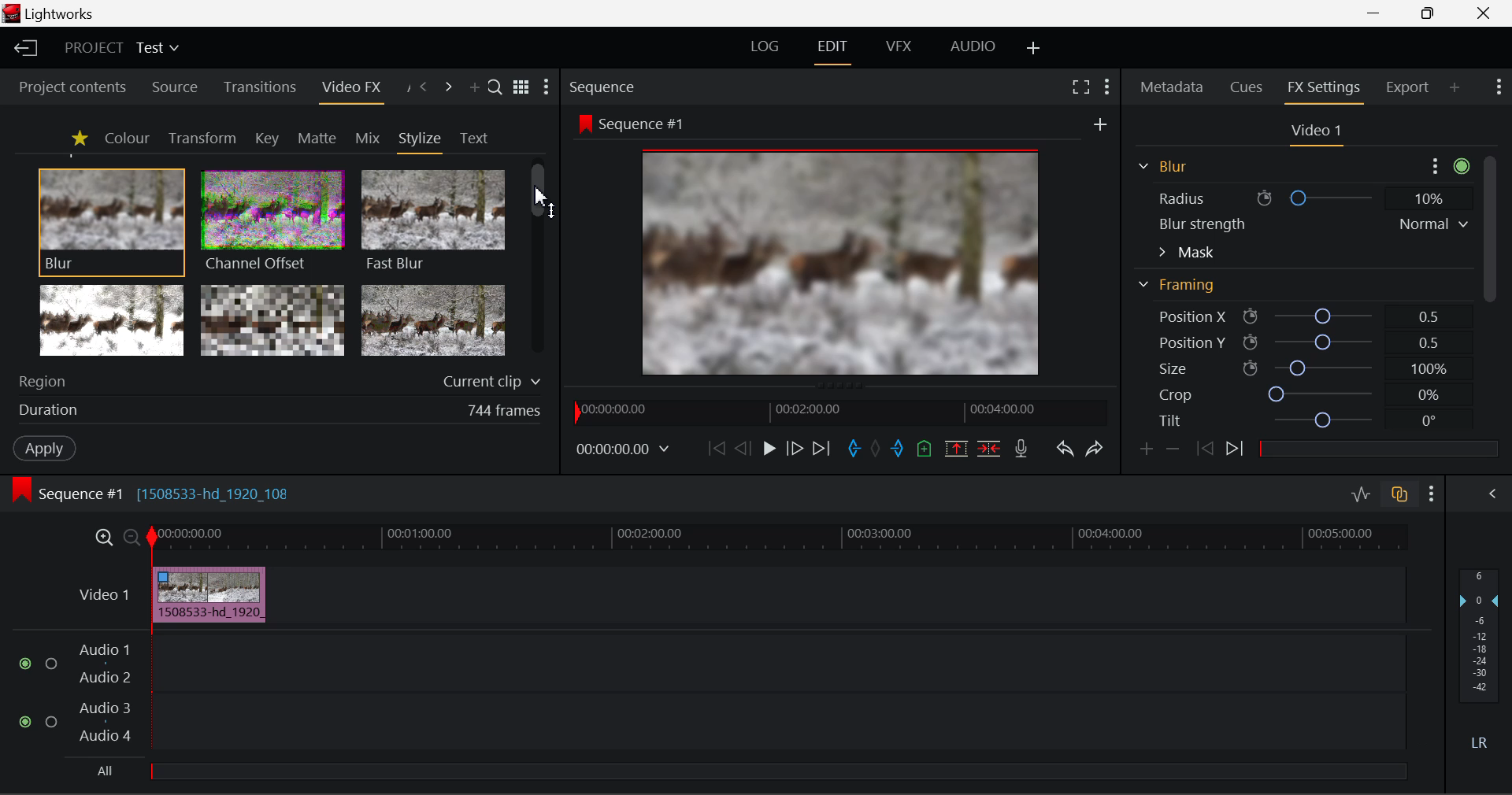 This screenshot has width=1512, height=795. Describe the element at coordinates (266, 139) in the screenshot. I see `Key` at that location.